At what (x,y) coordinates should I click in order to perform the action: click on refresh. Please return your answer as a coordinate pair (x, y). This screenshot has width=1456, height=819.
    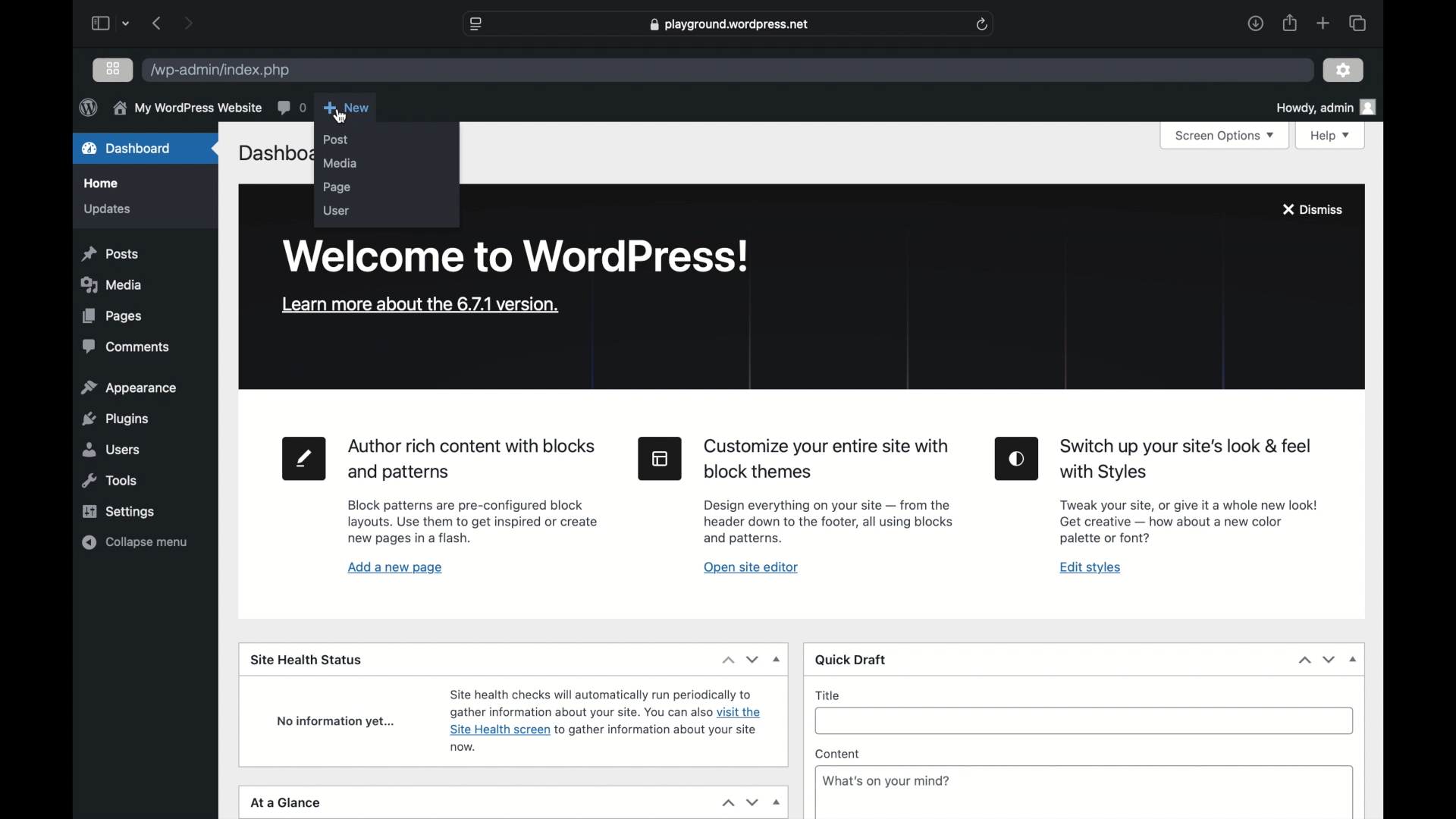
    Looking at the image, I should click on (983, 25).